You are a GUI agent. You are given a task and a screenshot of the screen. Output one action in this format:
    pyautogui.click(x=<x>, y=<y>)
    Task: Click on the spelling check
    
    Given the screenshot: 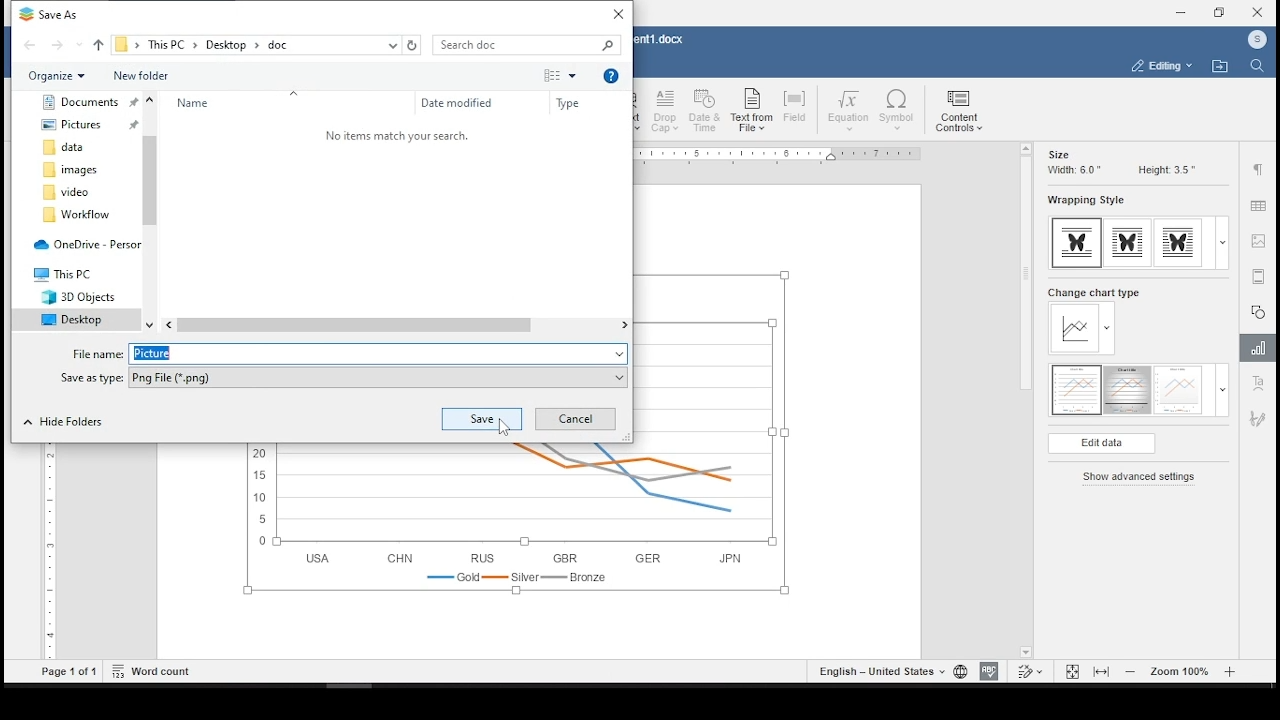 What is the action you would take?
    pyautogui.click(x=988, y=671)
    